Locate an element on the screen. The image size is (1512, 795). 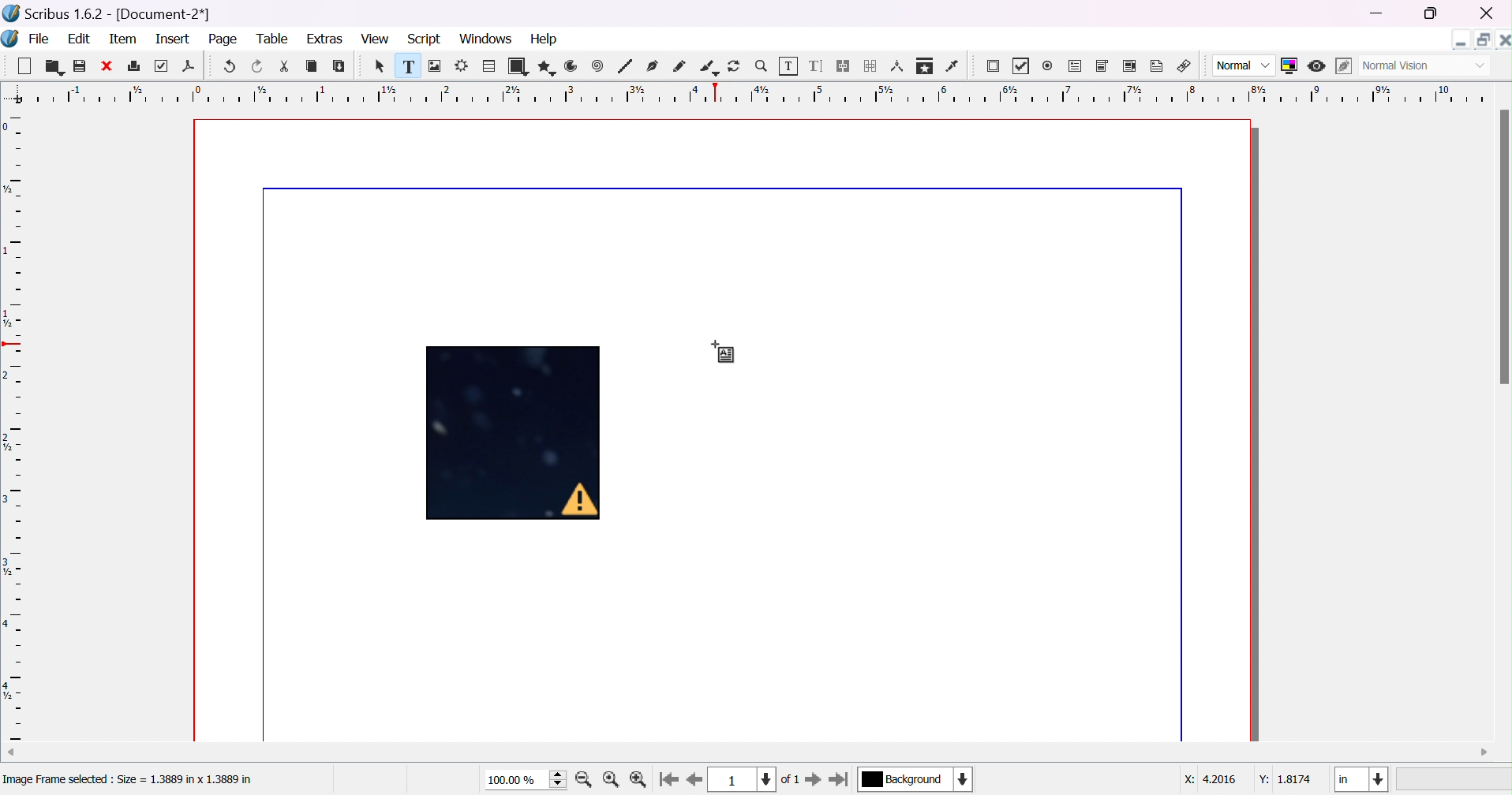
redo is located at coordinates (258, 66).